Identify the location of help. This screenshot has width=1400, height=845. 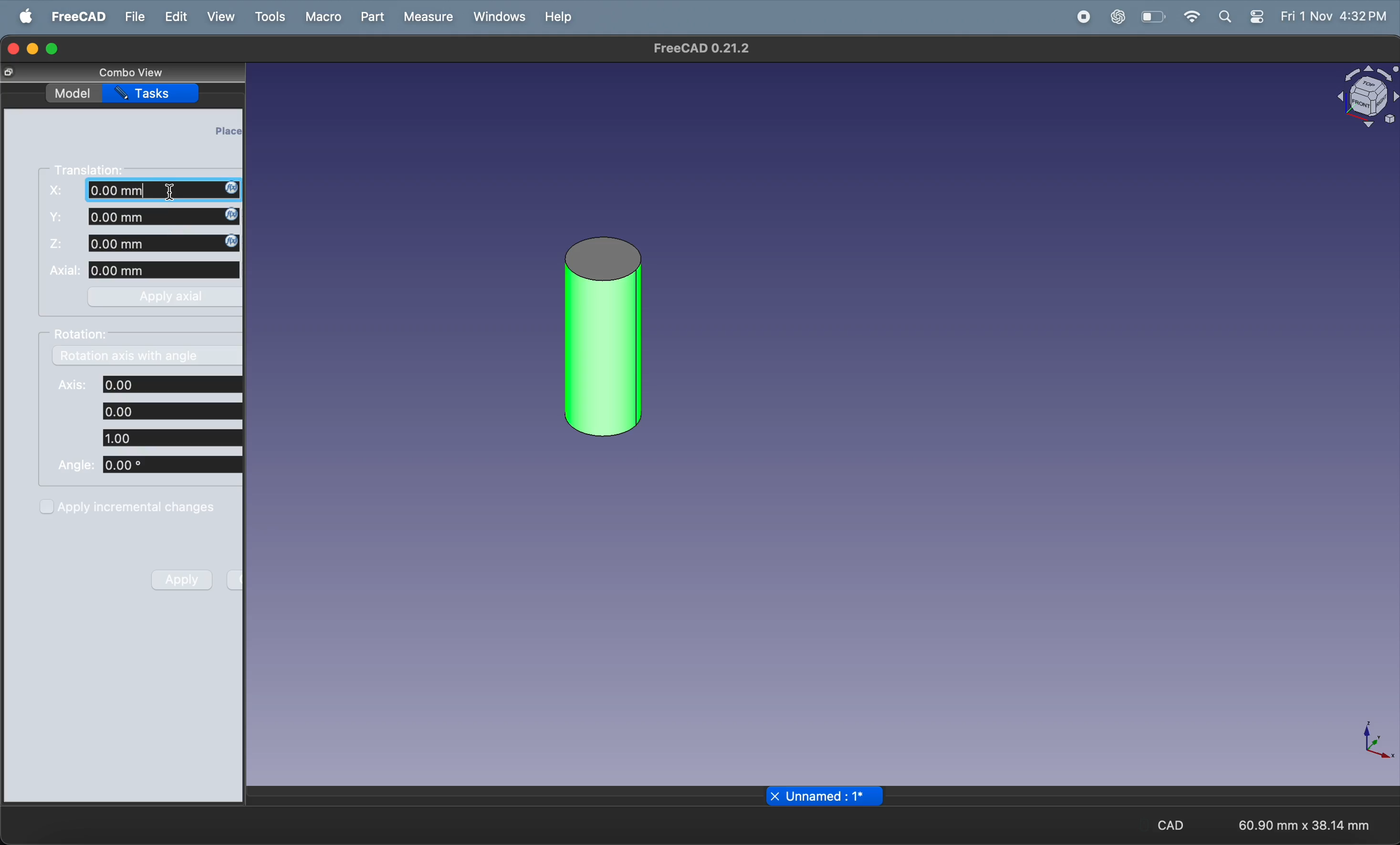
(556, 20).